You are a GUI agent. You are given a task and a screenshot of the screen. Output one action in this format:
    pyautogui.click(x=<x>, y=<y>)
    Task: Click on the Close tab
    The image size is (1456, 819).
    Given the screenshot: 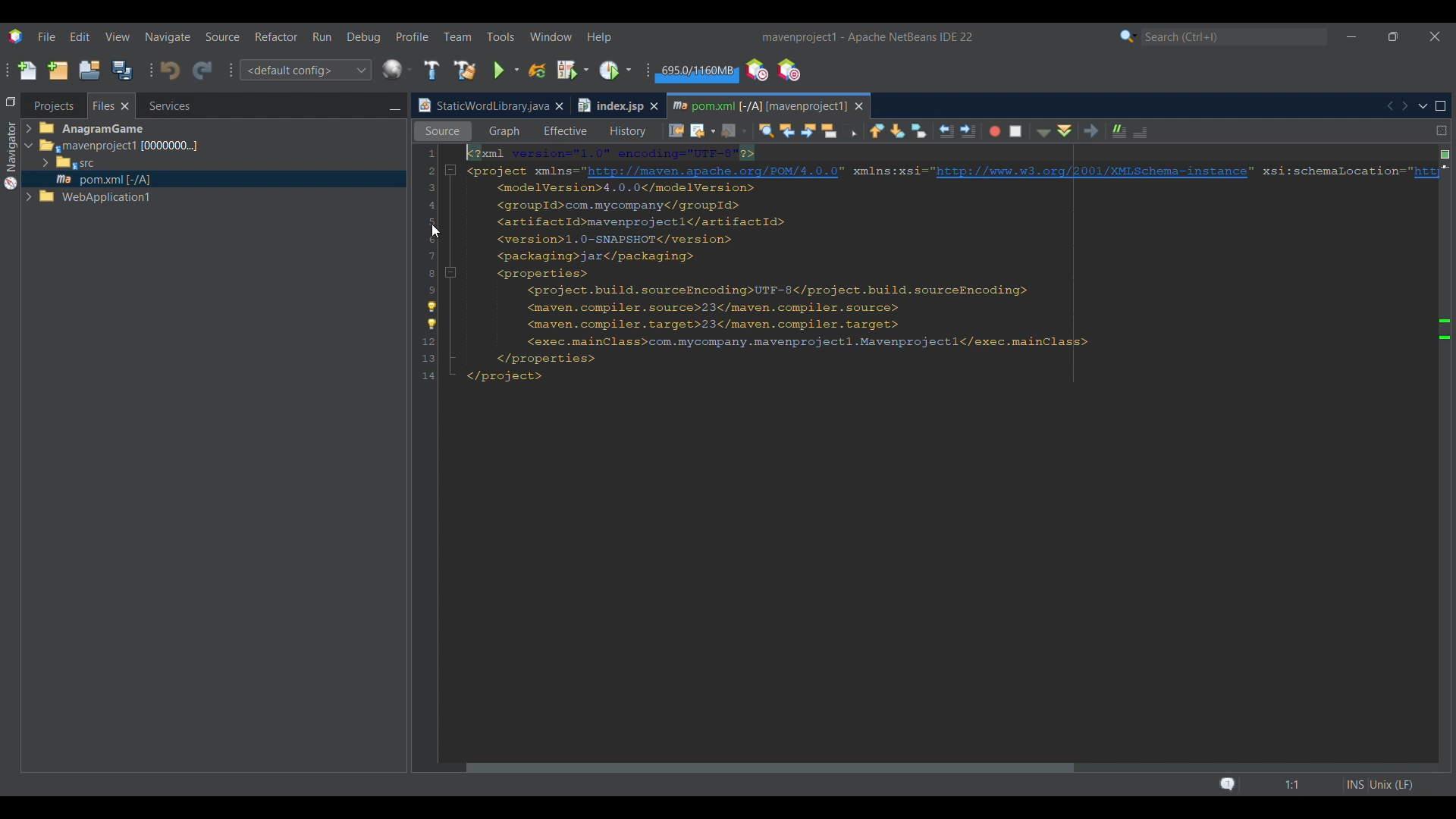 What is the action you would take?
    pyautogui.click(x=559, y=106)
    